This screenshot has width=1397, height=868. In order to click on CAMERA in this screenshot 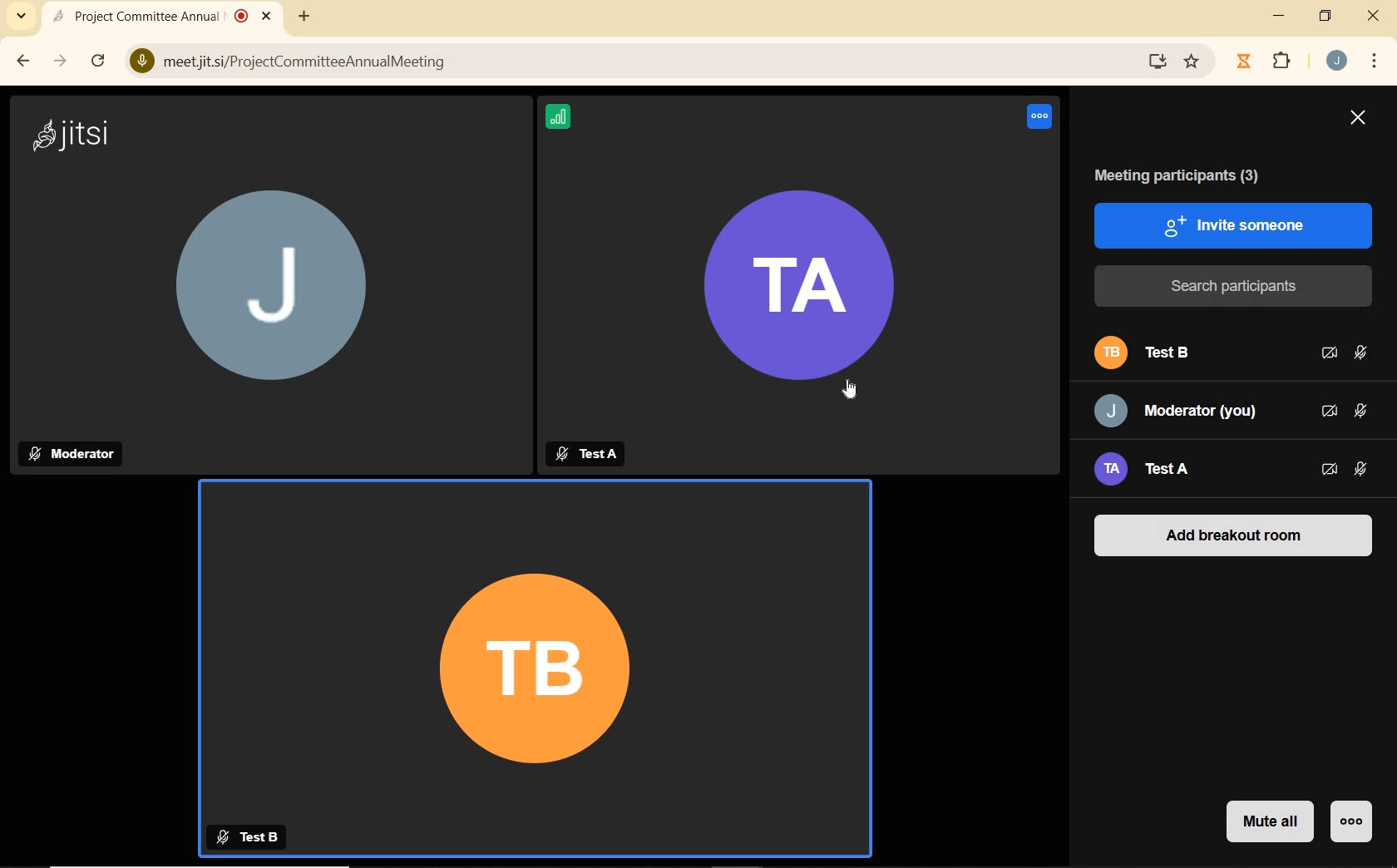, I will do `click(1329, 412)`.